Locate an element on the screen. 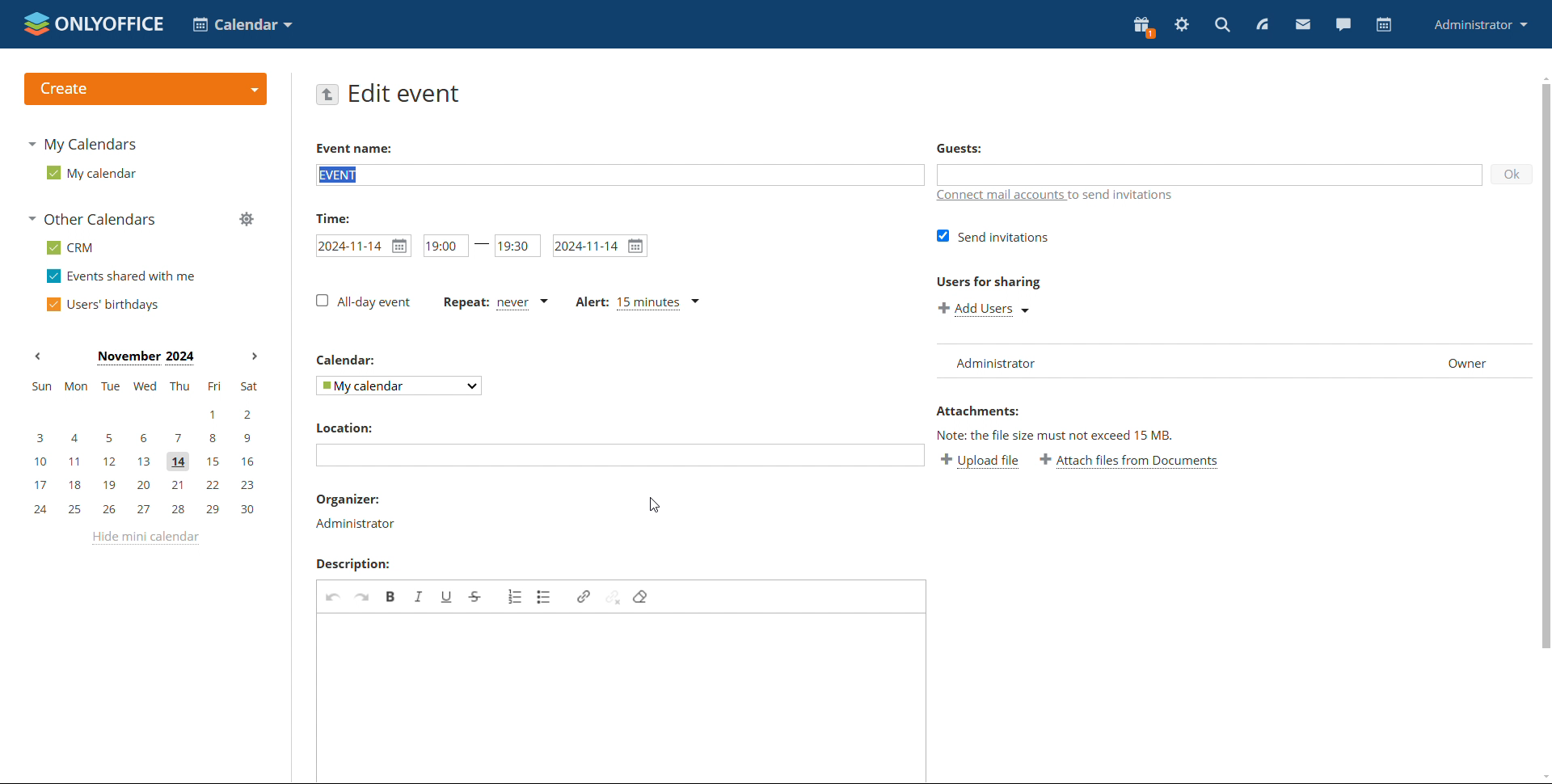 The height and width of the screenshot is (784, 1552). underline is located at coordinates (446, 596).